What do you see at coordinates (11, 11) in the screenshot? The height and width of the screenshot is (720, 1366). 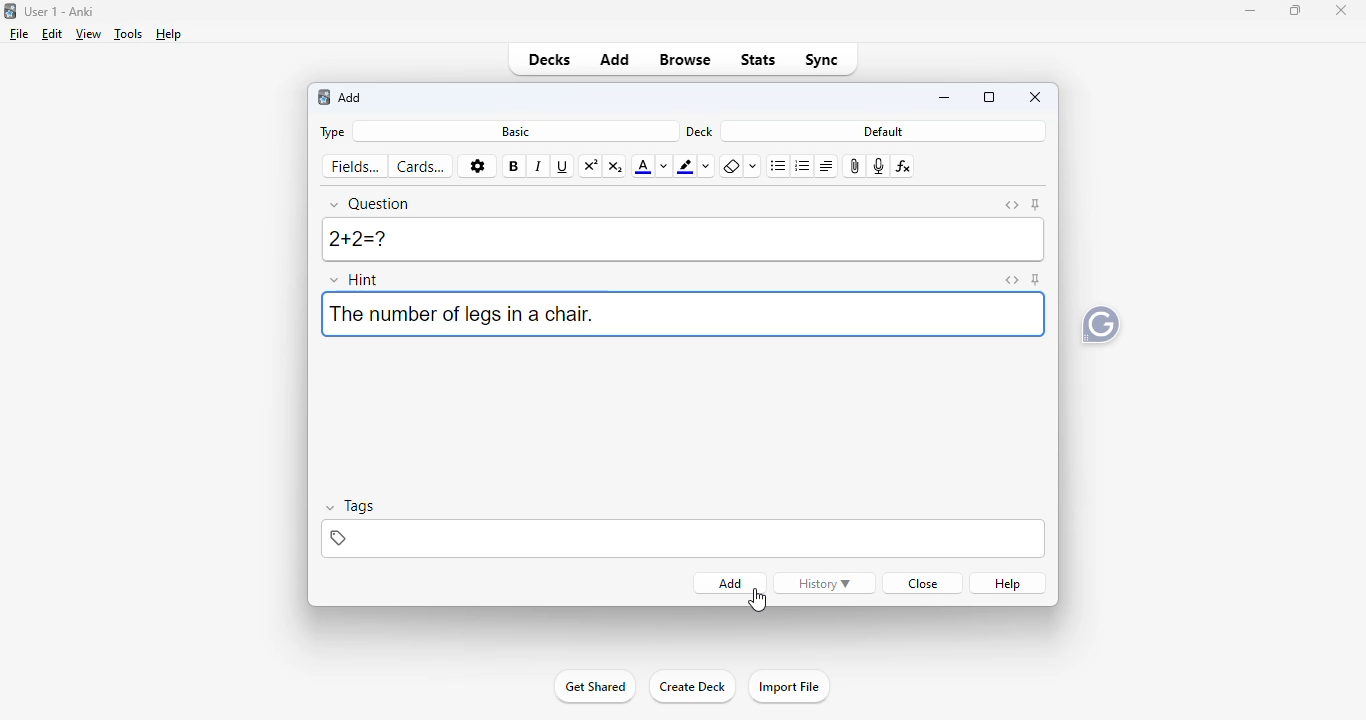 I see `logo` at bounding box center [11, 11].